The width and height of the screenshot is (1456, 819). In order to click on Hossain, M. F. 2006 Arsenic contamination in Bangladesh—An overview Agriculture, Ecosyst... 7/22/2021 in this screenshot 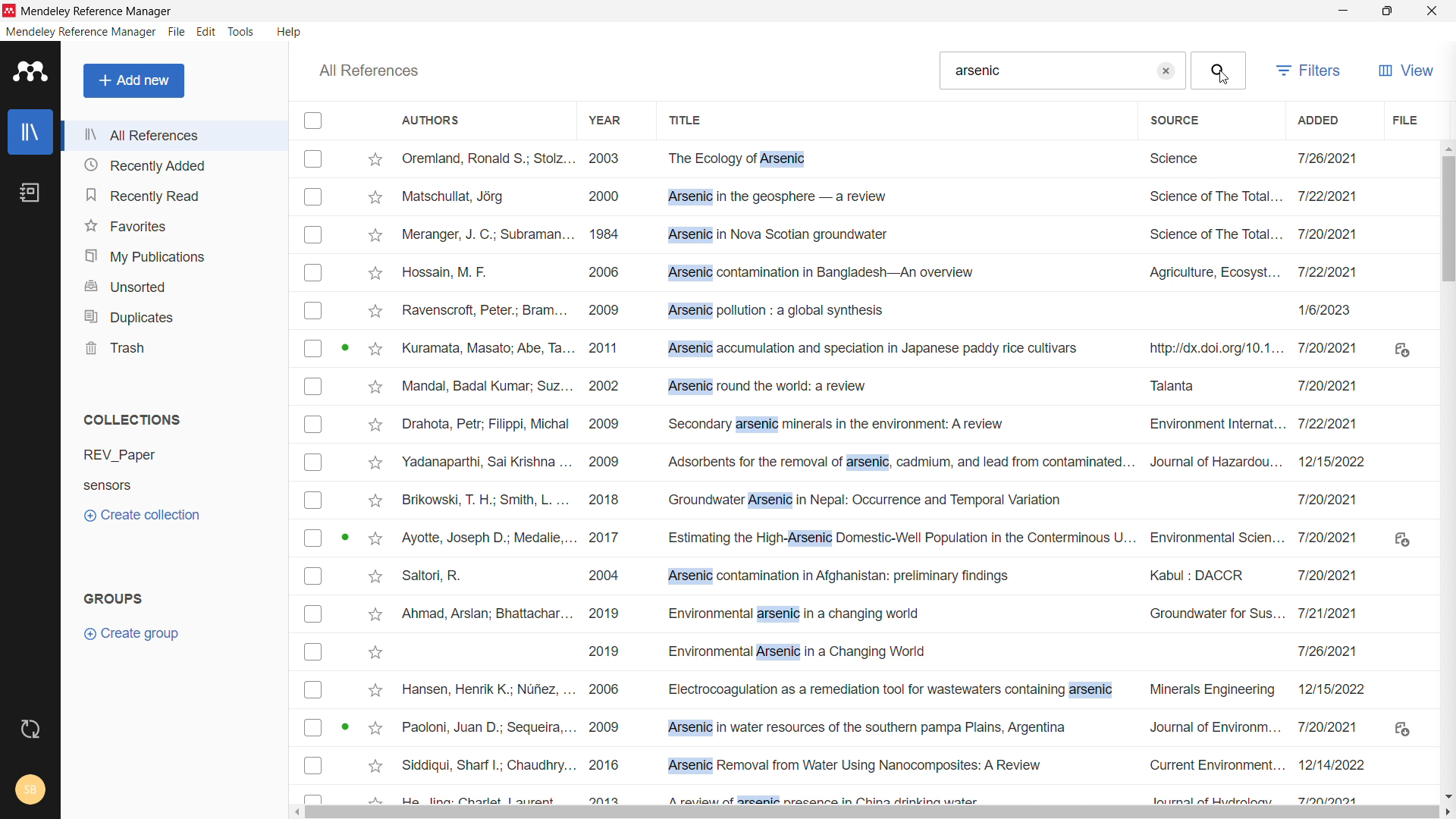, I will do `click(886, 271)`.